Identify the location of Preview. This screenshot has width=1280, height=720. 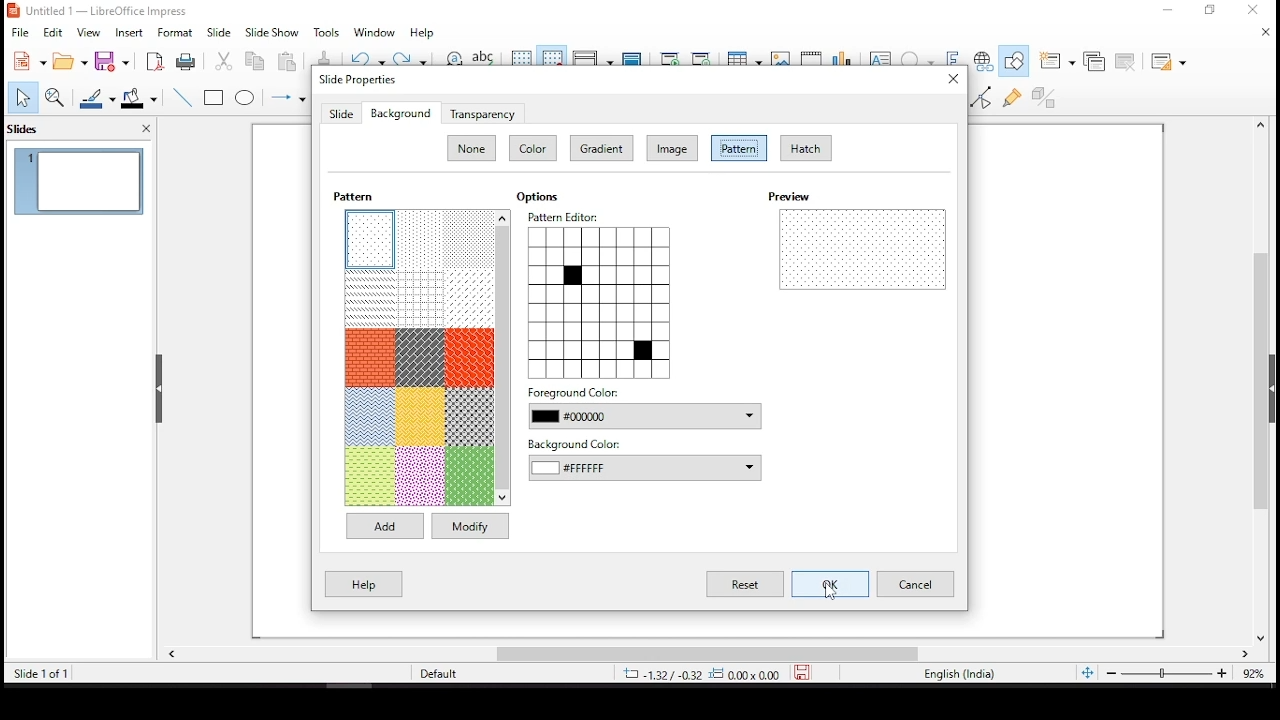
(795, 198).